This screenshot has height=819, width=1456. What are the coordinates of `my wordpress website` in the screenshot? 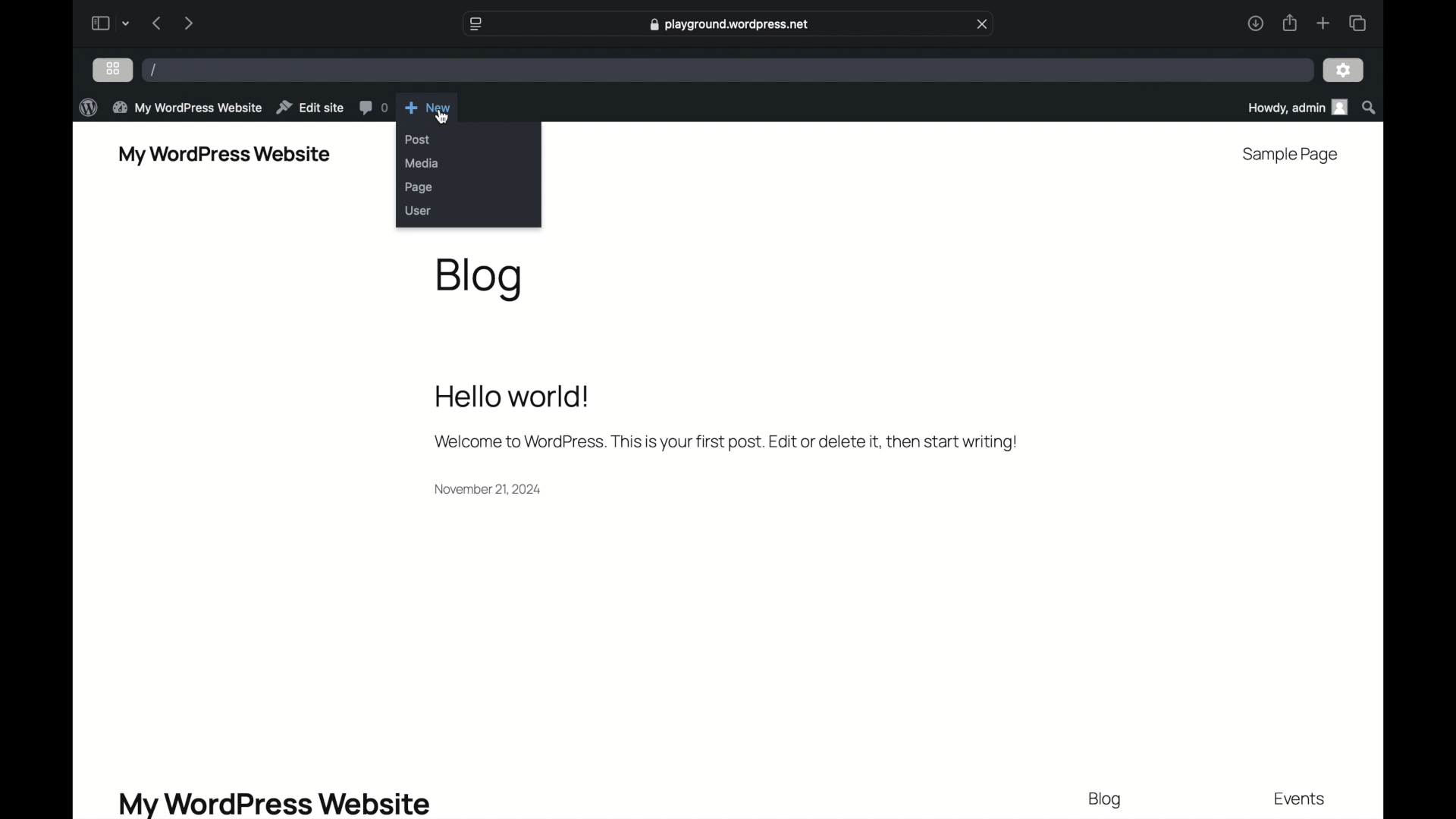 It's located at (273, 803).